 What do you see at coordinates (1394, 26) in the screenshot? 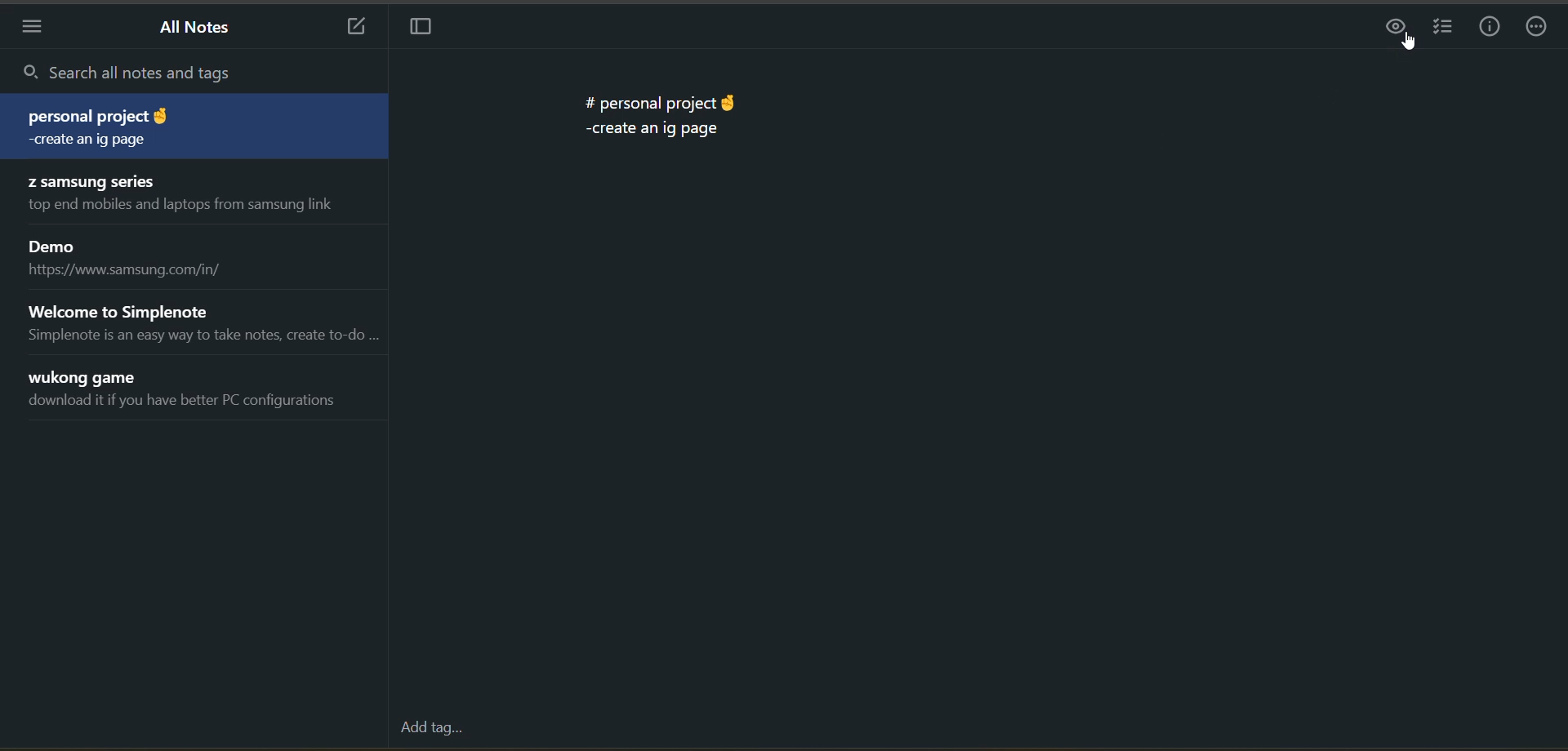
I see `preview` at bounding box center [1394, 26].